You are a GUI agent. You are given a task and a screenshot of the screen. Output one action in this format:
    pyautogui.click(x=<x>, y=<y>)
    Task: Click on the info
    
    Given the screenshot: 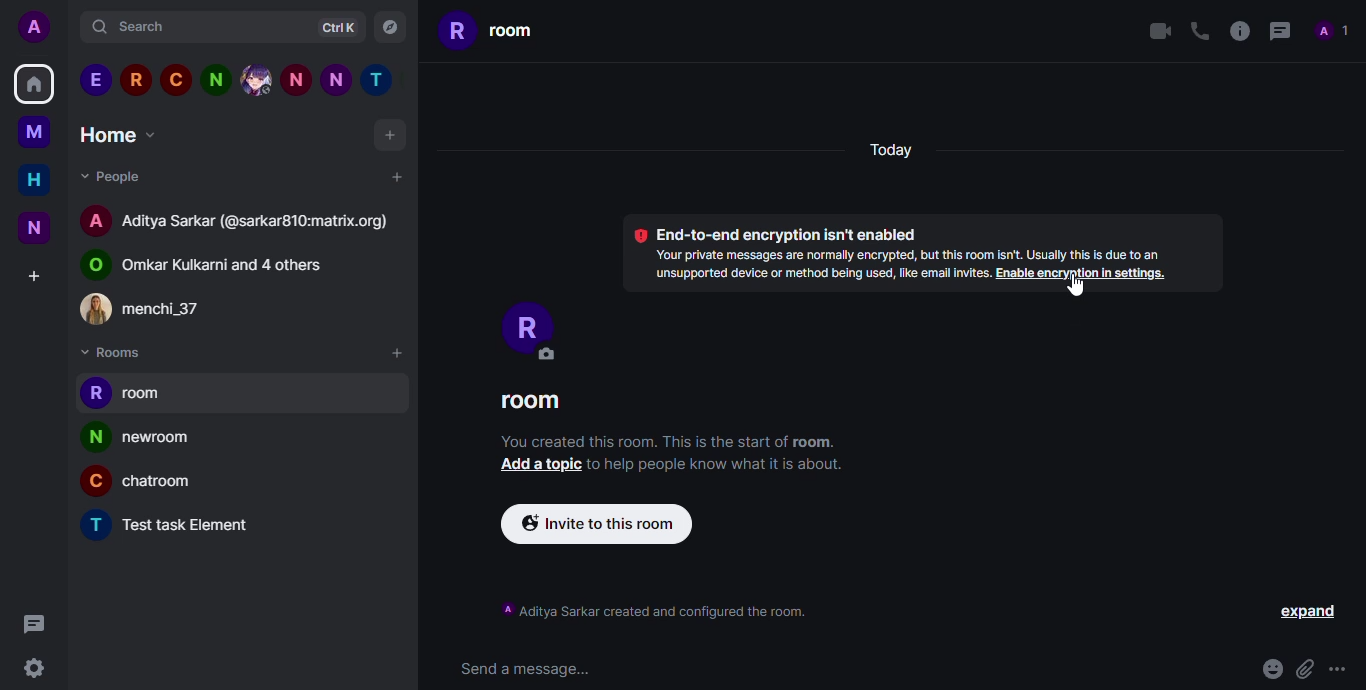 What is the action you would take?
    pyautogui.click(x=656, y=610)
    